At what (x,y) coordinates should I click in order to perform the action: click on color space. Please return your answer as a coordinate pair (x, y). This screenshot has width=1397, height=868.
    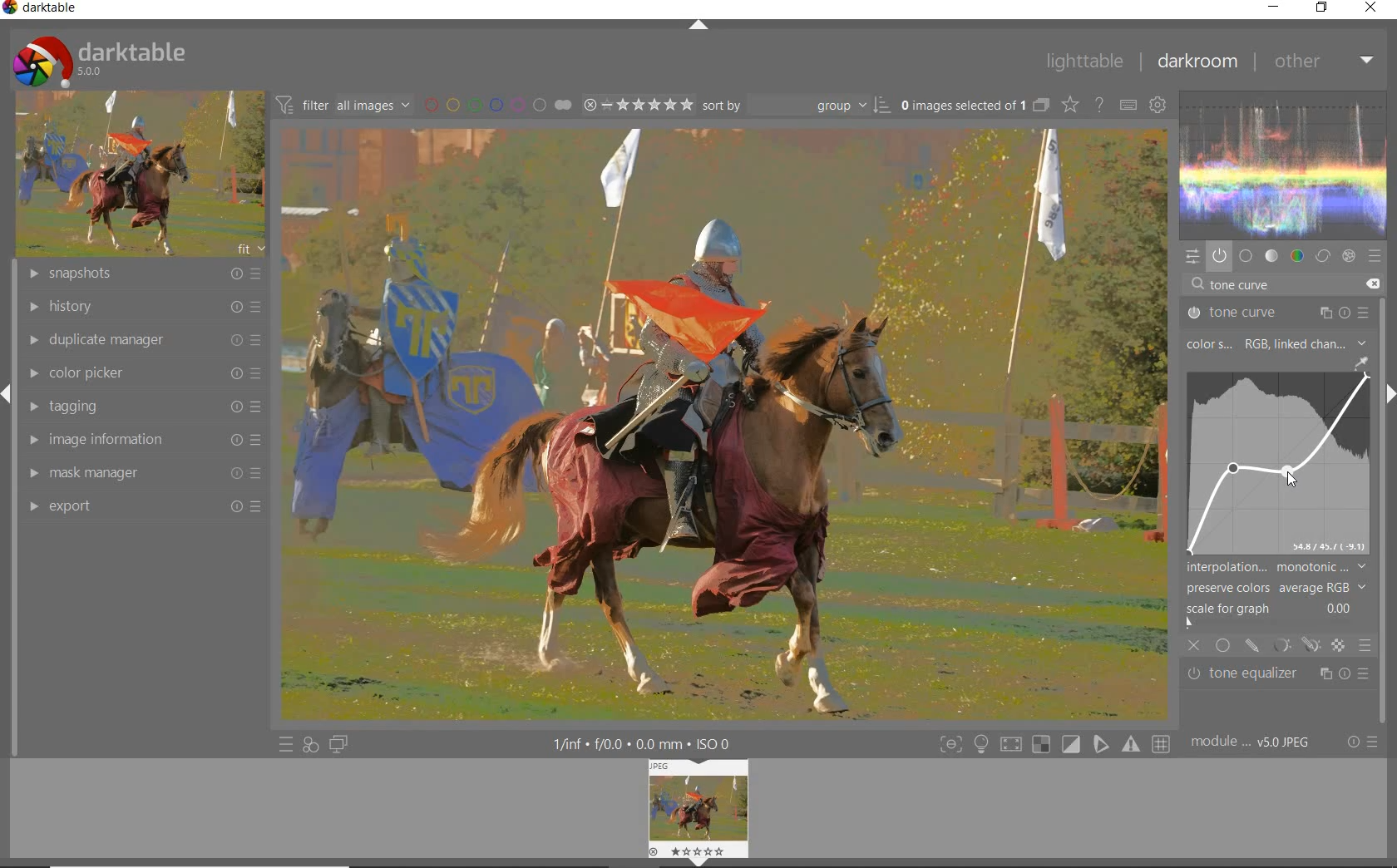
    Looking at the image, I should click on (1275, 345).